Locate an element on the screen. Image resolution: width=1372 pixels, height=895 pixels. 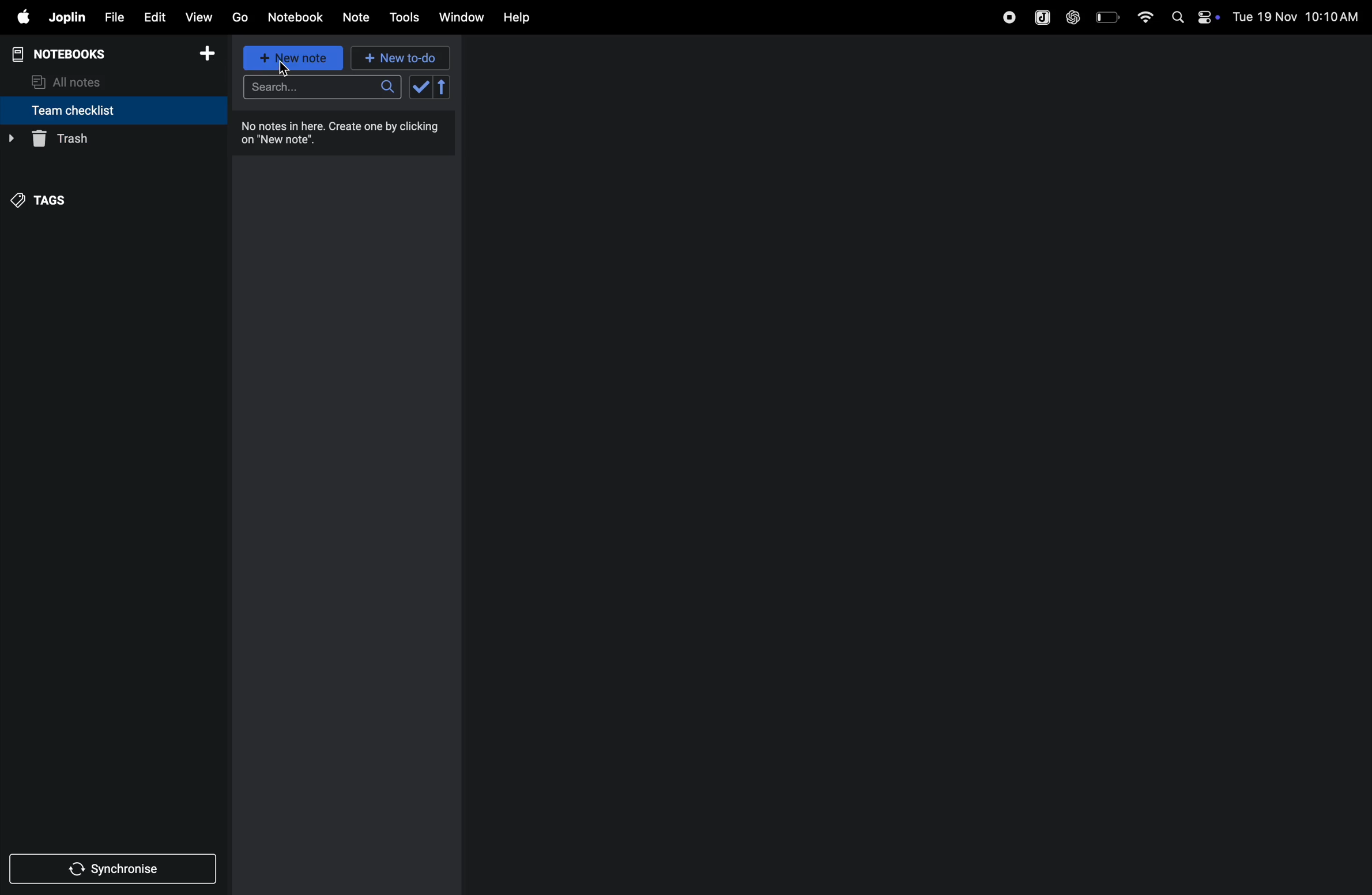
chat gpt is located at coordinates (1071, 17).